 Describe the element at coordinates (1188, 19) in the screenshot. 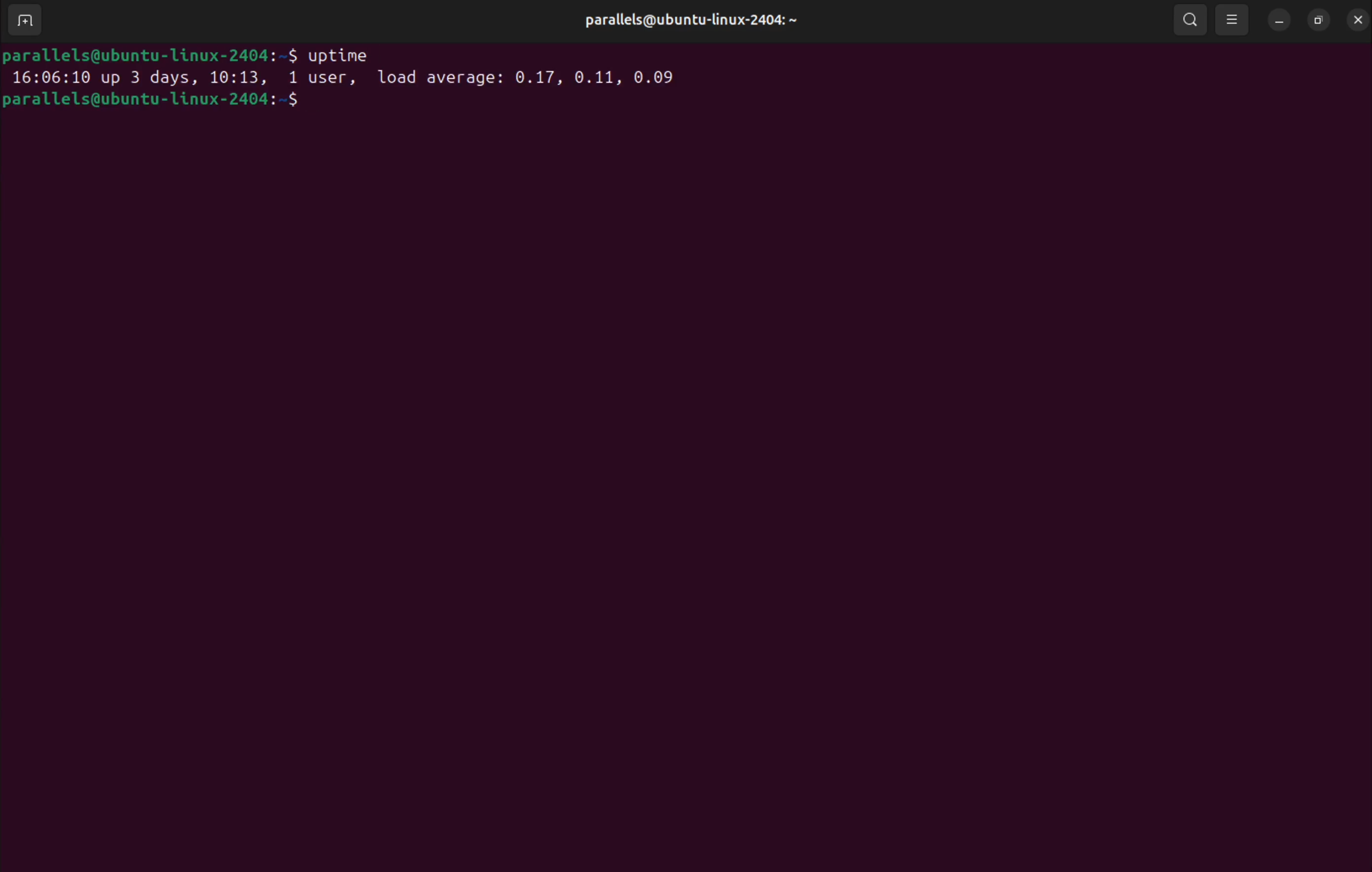

I see `search` at that location.